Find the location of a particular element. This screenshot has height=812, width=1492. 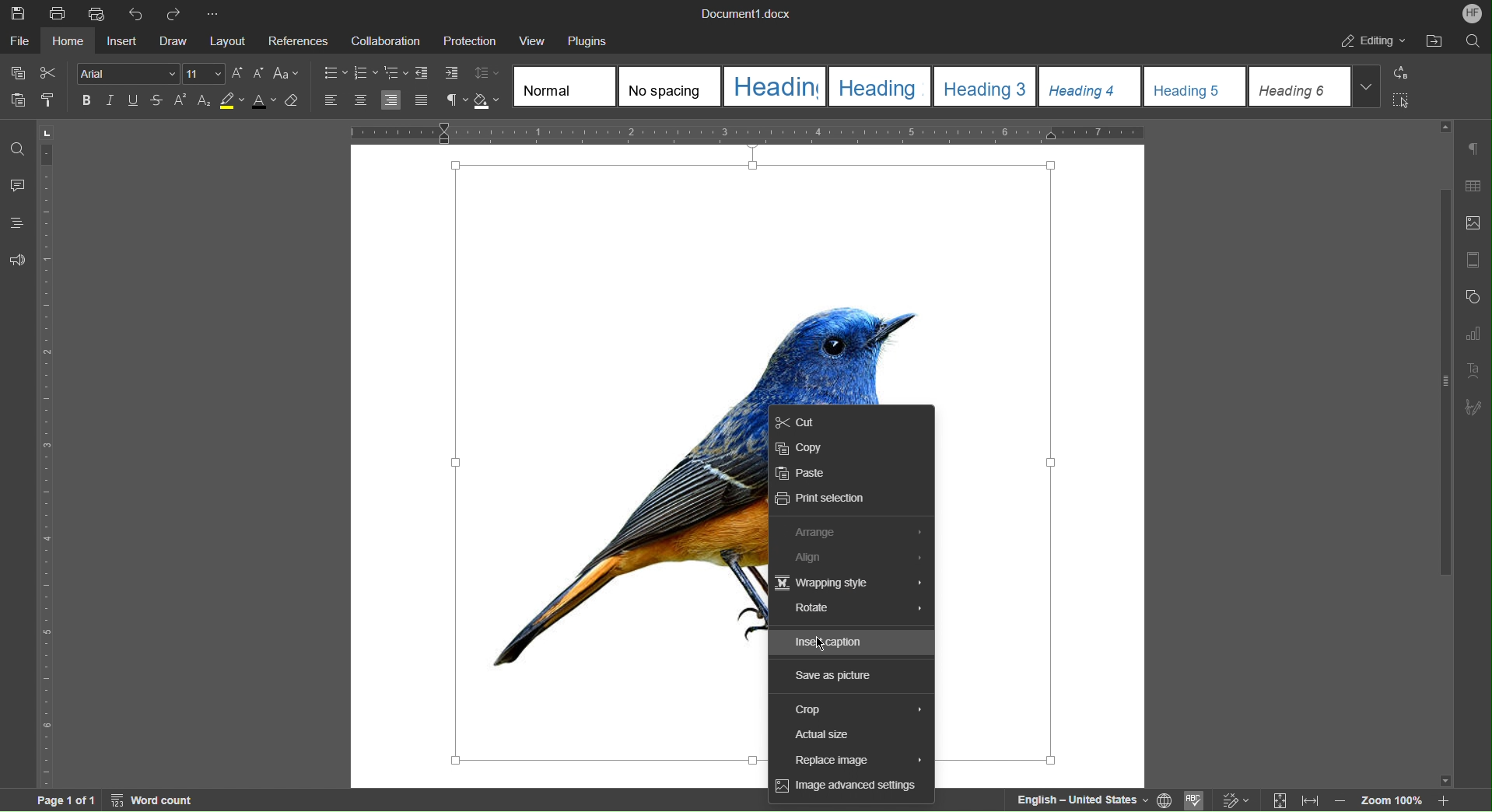

Align Right is located at coordinates (392, 101).